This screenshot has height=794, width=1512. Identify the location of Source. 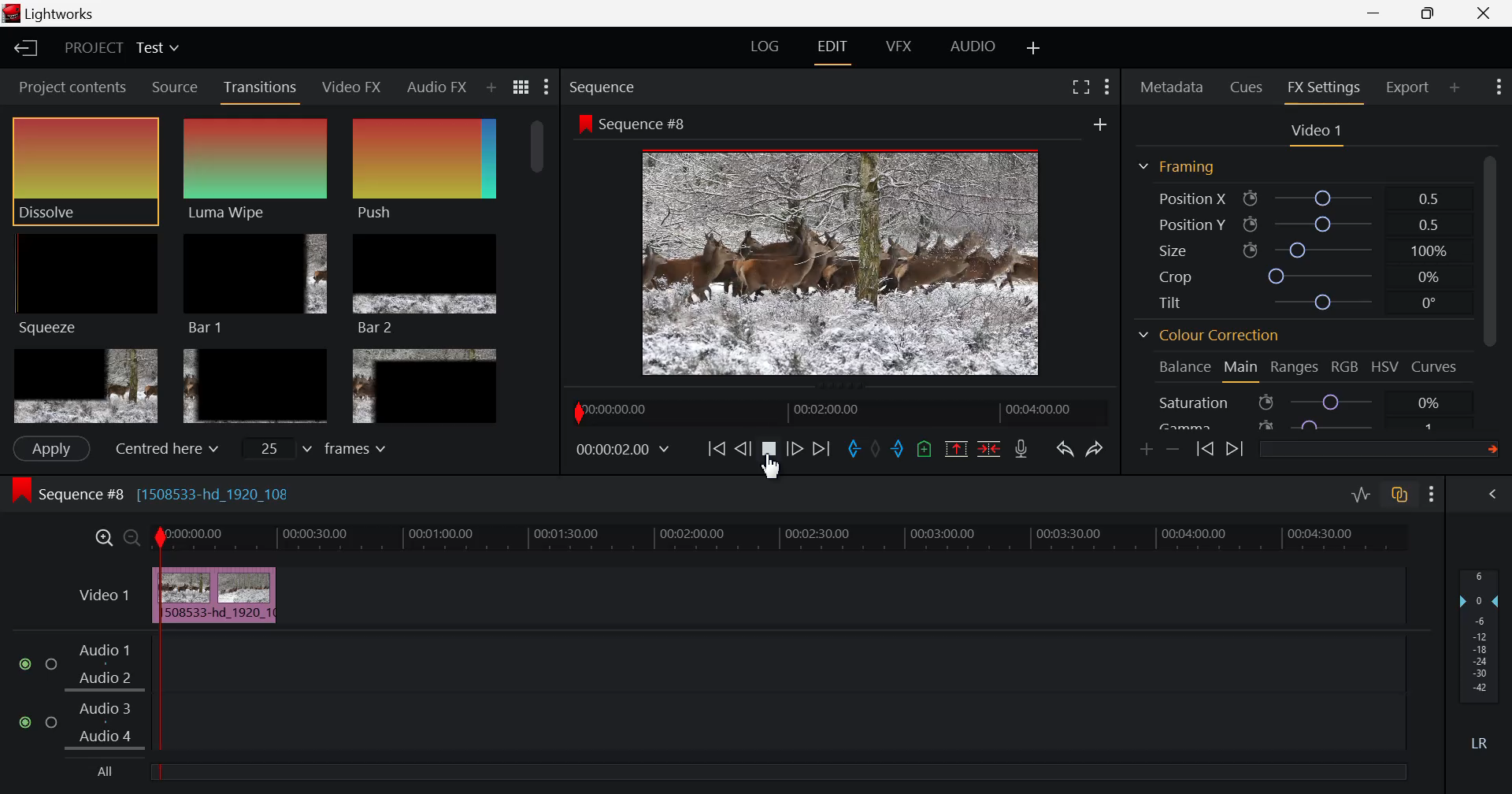
(173, 86).